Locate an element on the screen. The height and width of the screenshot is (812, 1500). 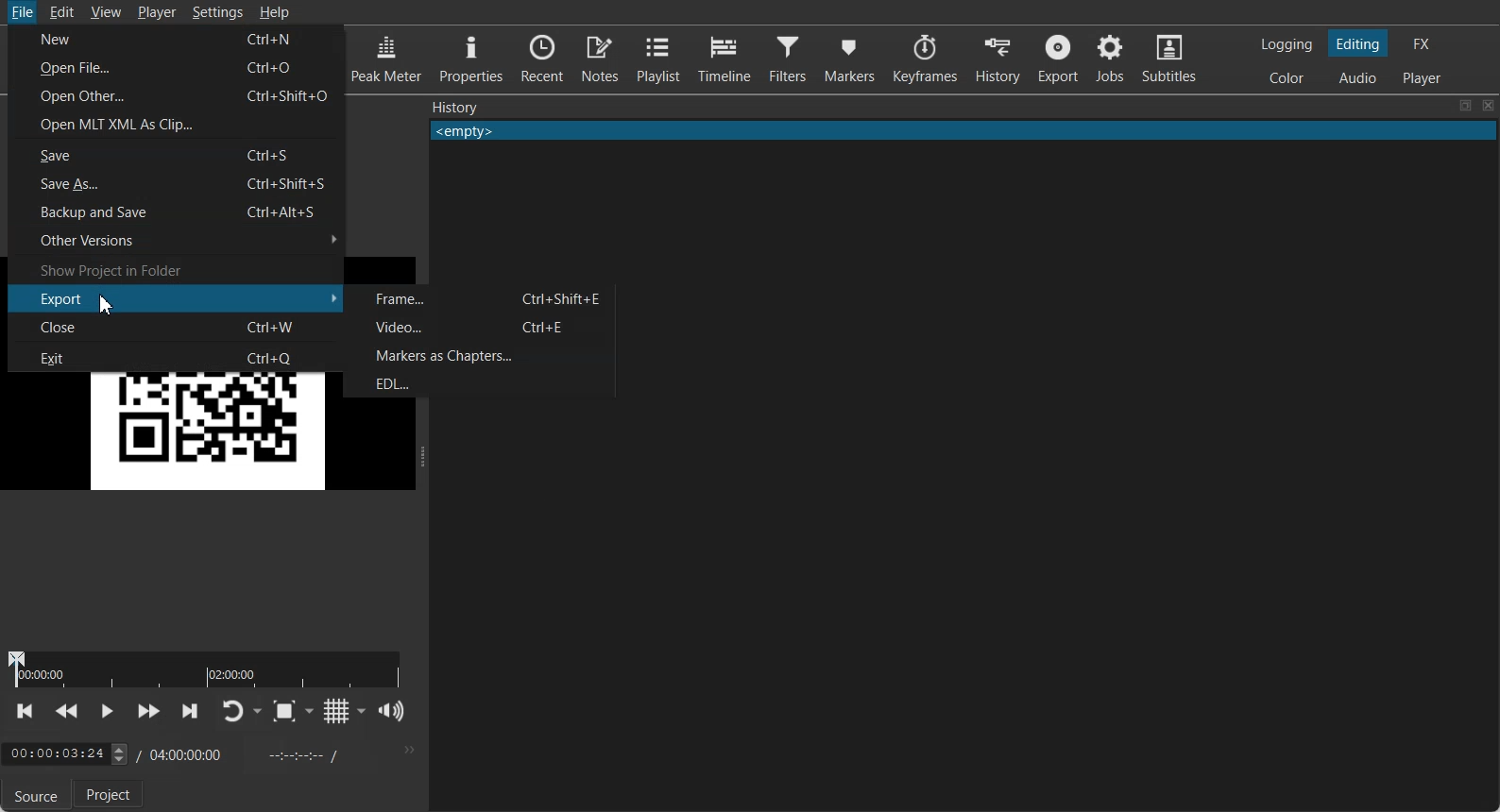
Subtitles is located at coordinates (1169, 57).